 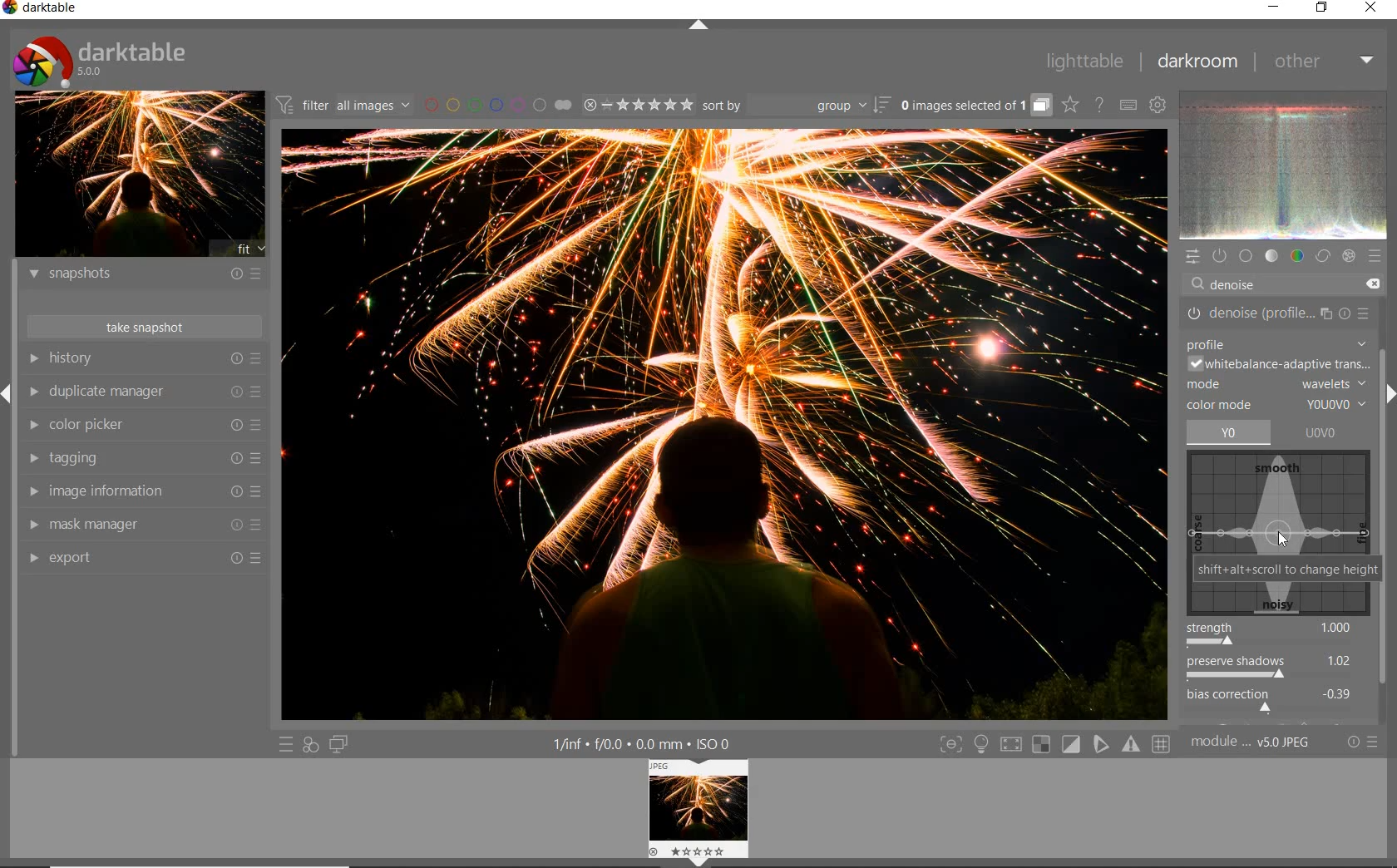 What do you see at coordinates (343, 103) in the screenshot?
I see `filter all images by module order` at bounding box center [343, 103].